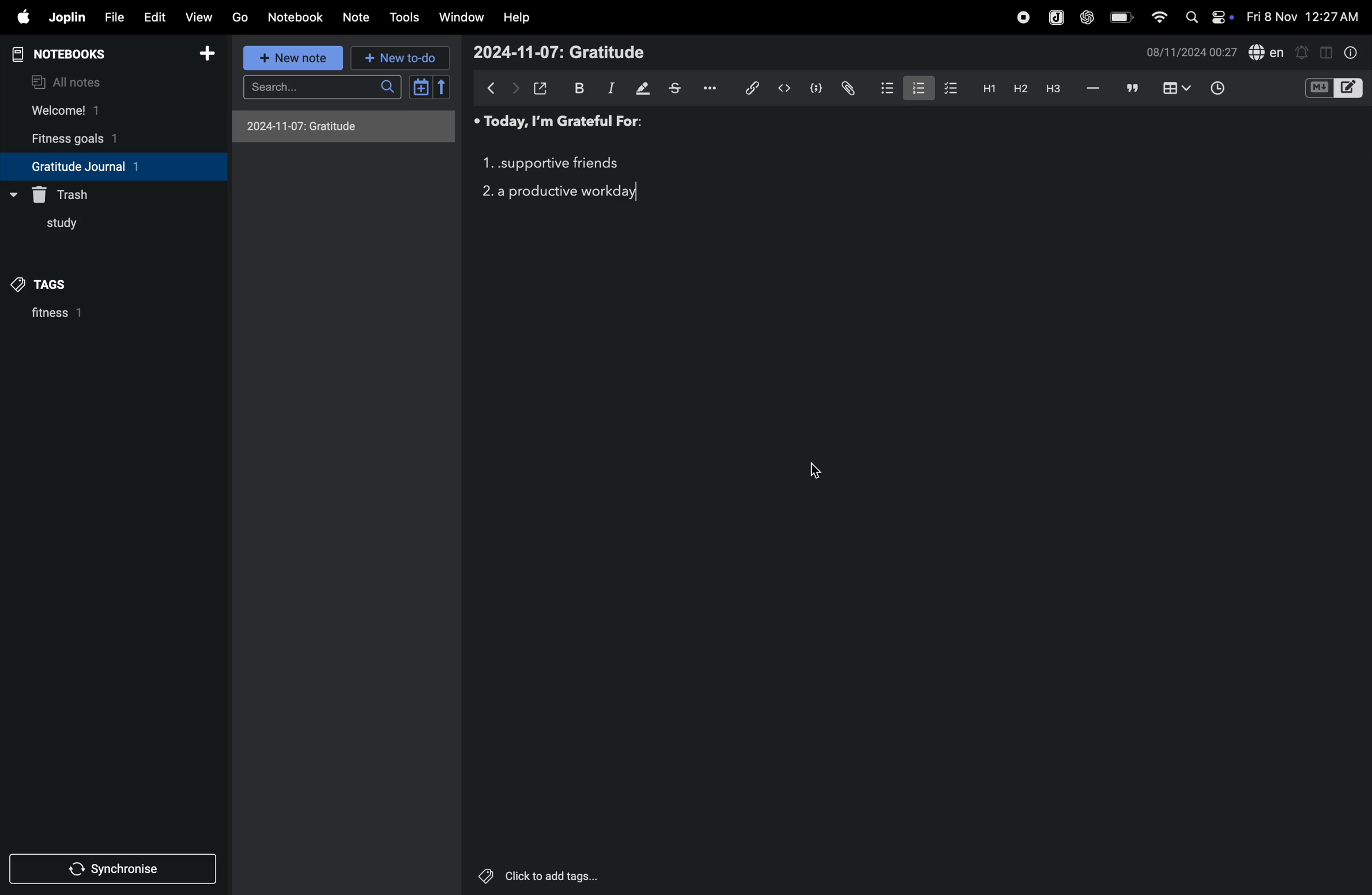 The width and height of the screenshot is (1372, 895). Describe the element at coordinates (1021, 18) in the screenshot. I see `record` at that location.